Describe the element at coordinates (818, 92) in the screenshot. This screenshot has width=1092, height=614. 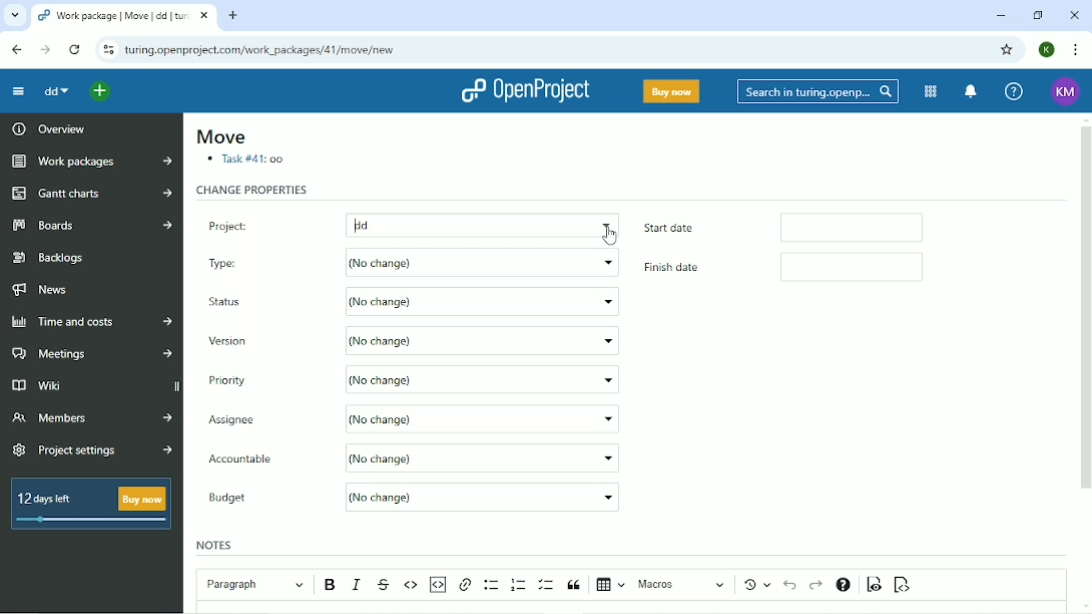
I see `Search` at that location.